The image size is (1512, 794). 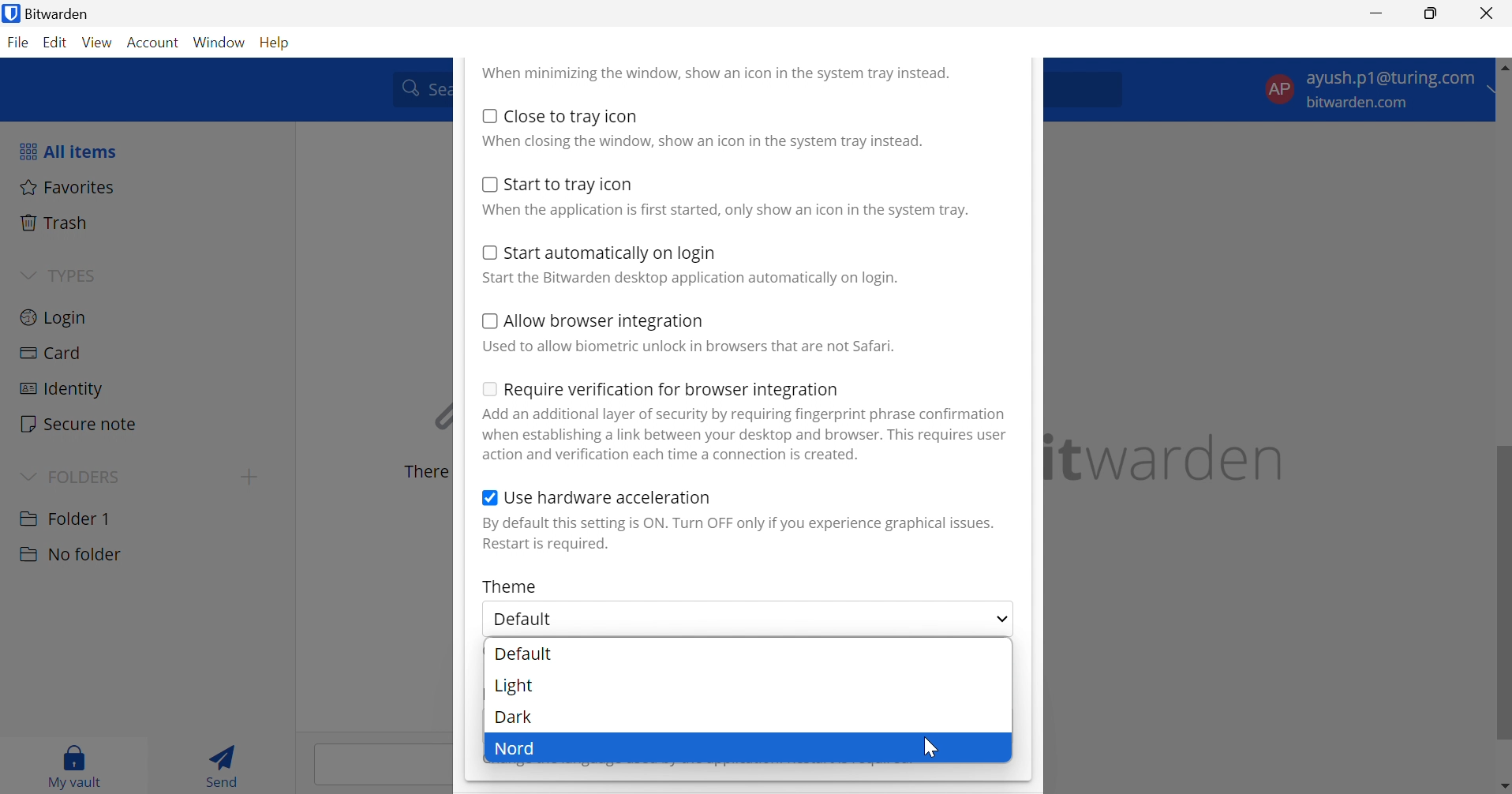 I want to click on Default, so click(x=524, y=654).